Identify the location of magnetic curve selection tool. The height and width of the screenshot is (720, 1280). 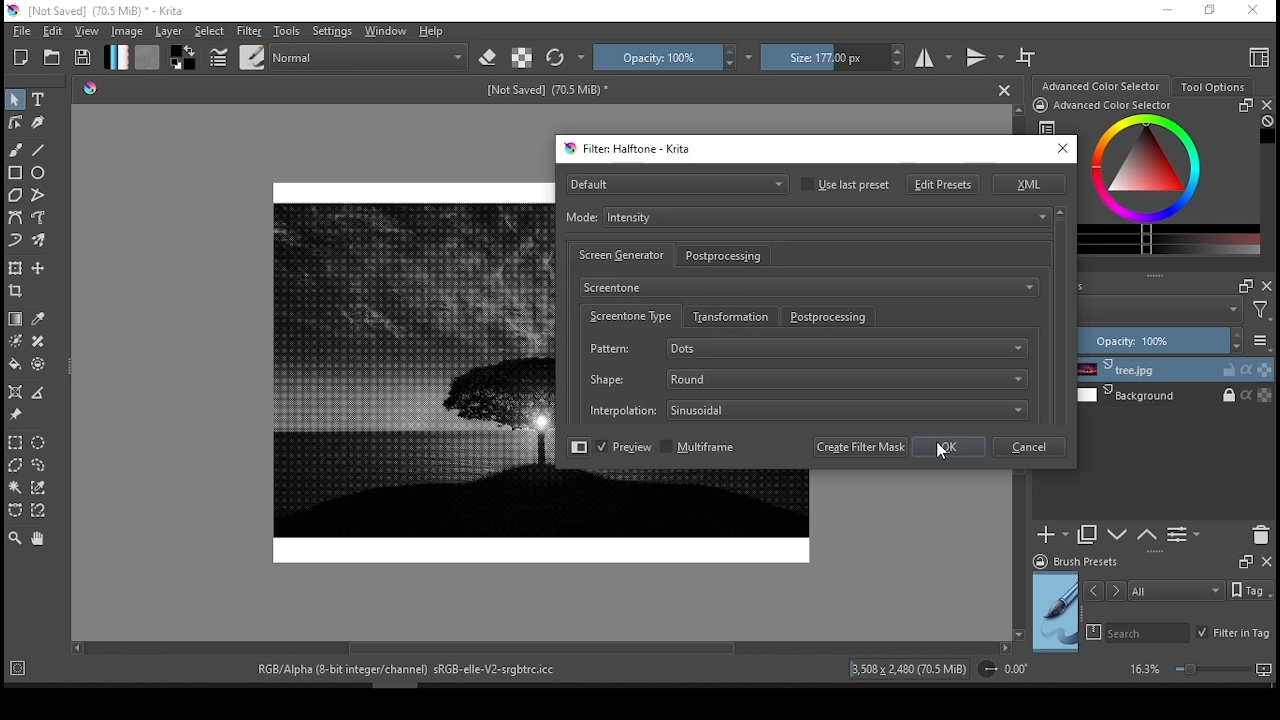
(40, 511).